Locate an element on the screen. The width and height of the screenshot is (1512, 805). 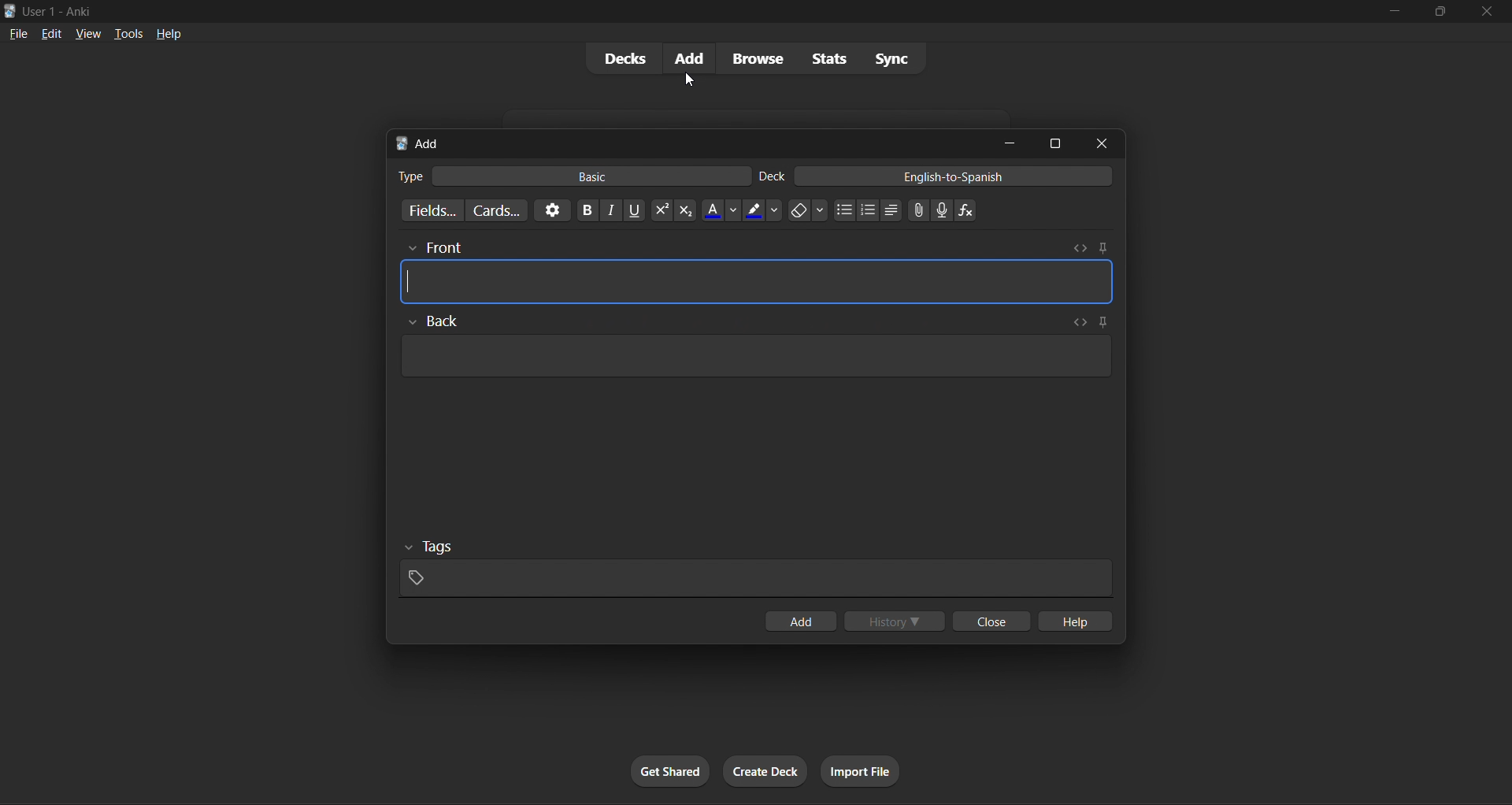
customize fields is located at coordinates (431, 210).